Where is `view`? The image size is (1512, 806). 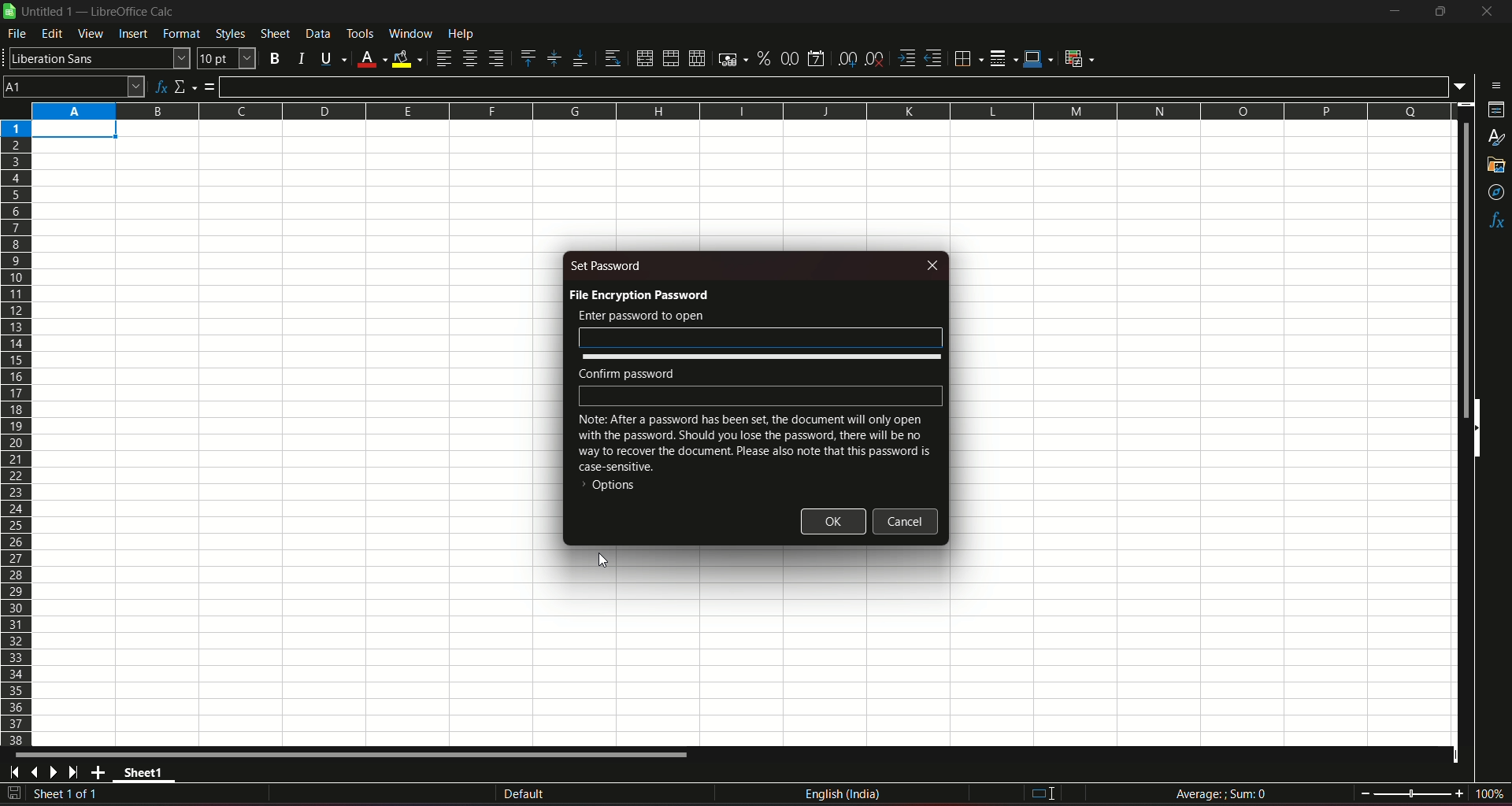 view is located at coordinates (91, 34).